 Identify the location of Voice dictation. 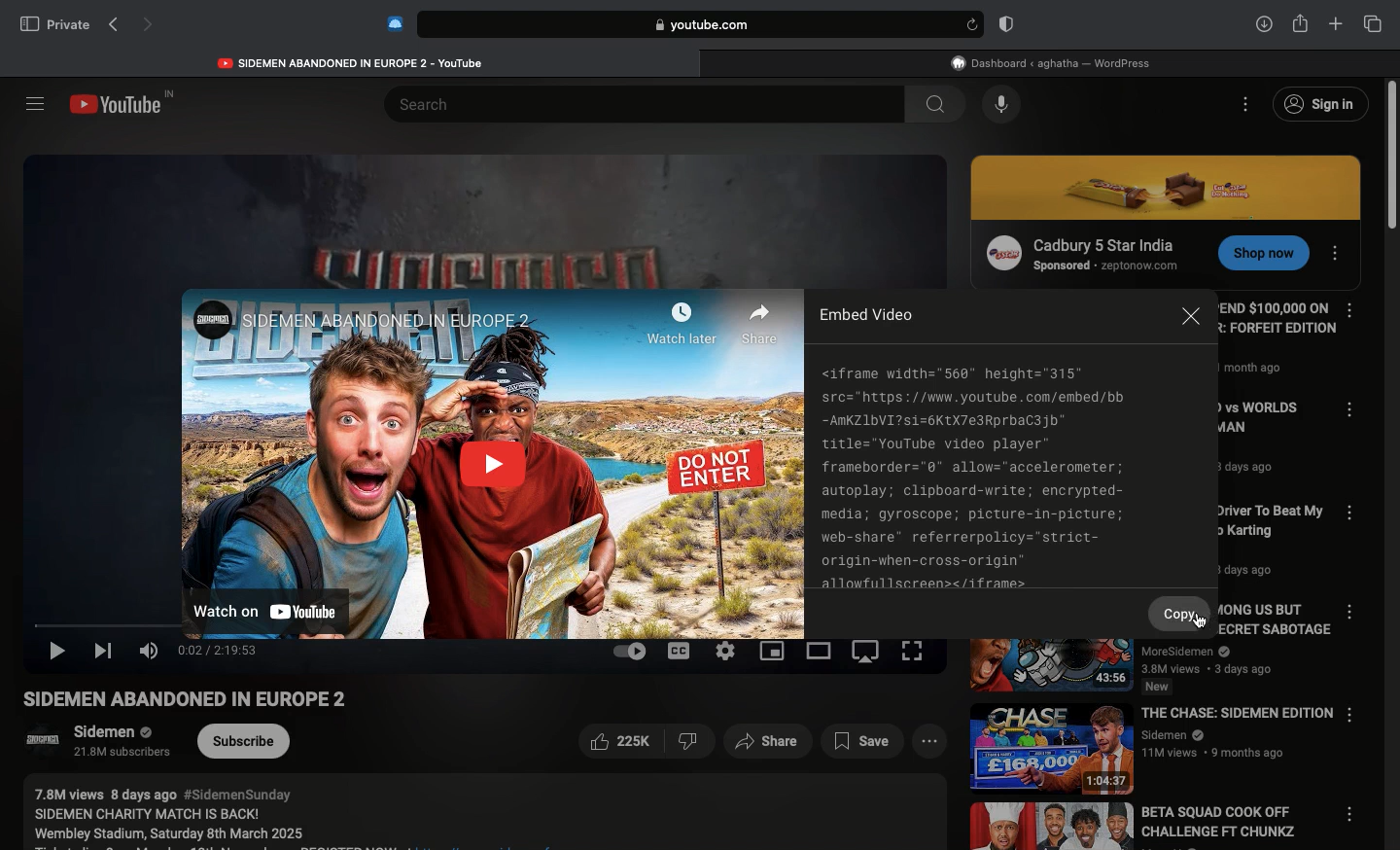
(1002, 105).